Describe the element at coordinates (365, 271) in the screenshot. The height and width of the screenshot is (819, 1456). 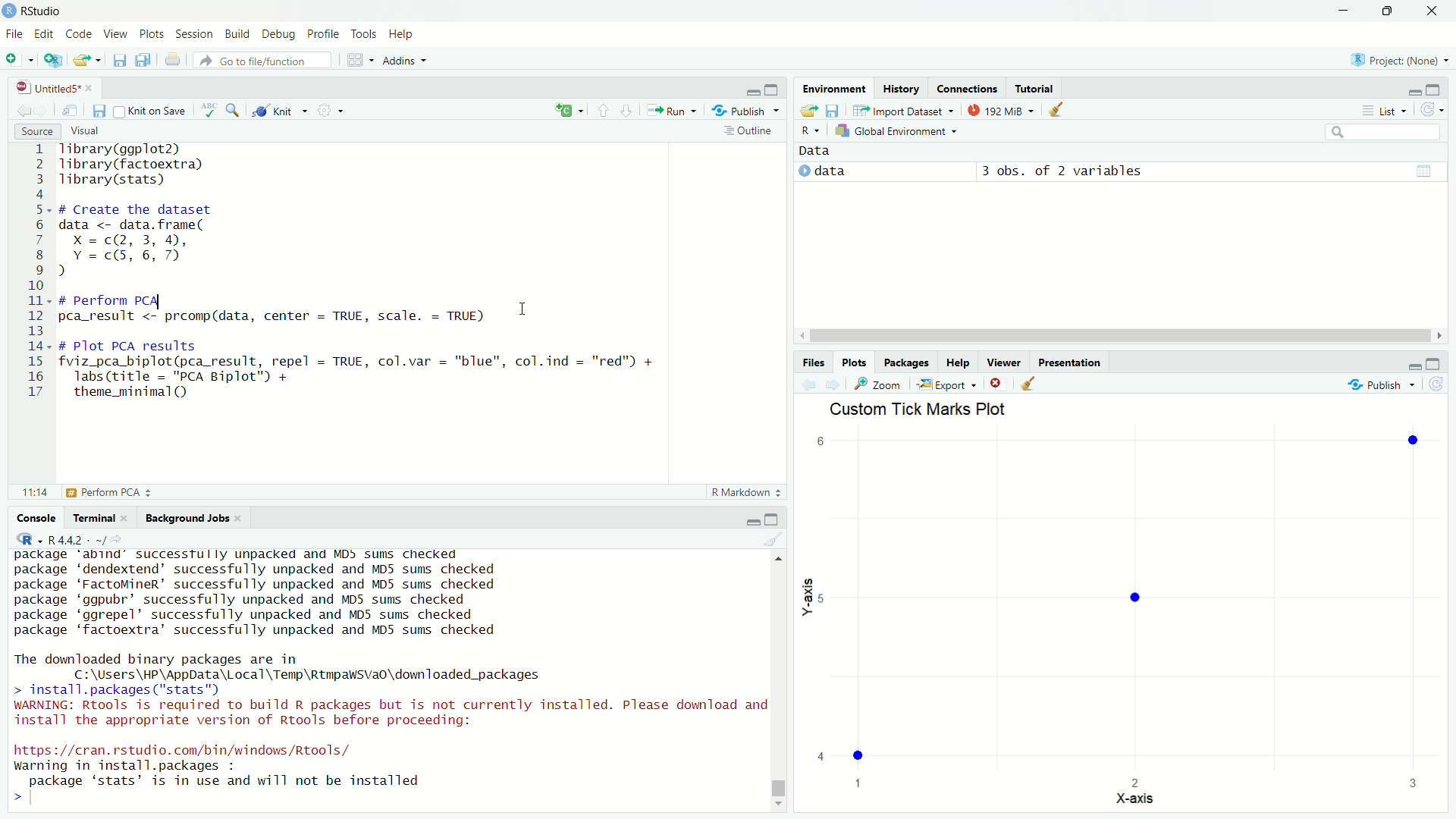
I see `Tibrary(ggplot2)
Tibrary(factoextra)
Tibrary(stats)
# Create the dataset
data <- data. frame(
X =c(2, 3, 4,
Y=c(5,6,7)
)
# perform PCA I
pca_result <- prcomp(data, center = TRUE, scale. = TRUE)
# Plot PCA results|
fviz_pca_biplot(pca_result, repel = TRUE, col.var = "blue", col.ind = "red") +
labs (title = "PCA Biplot") +
theme_minimal()` at that location.